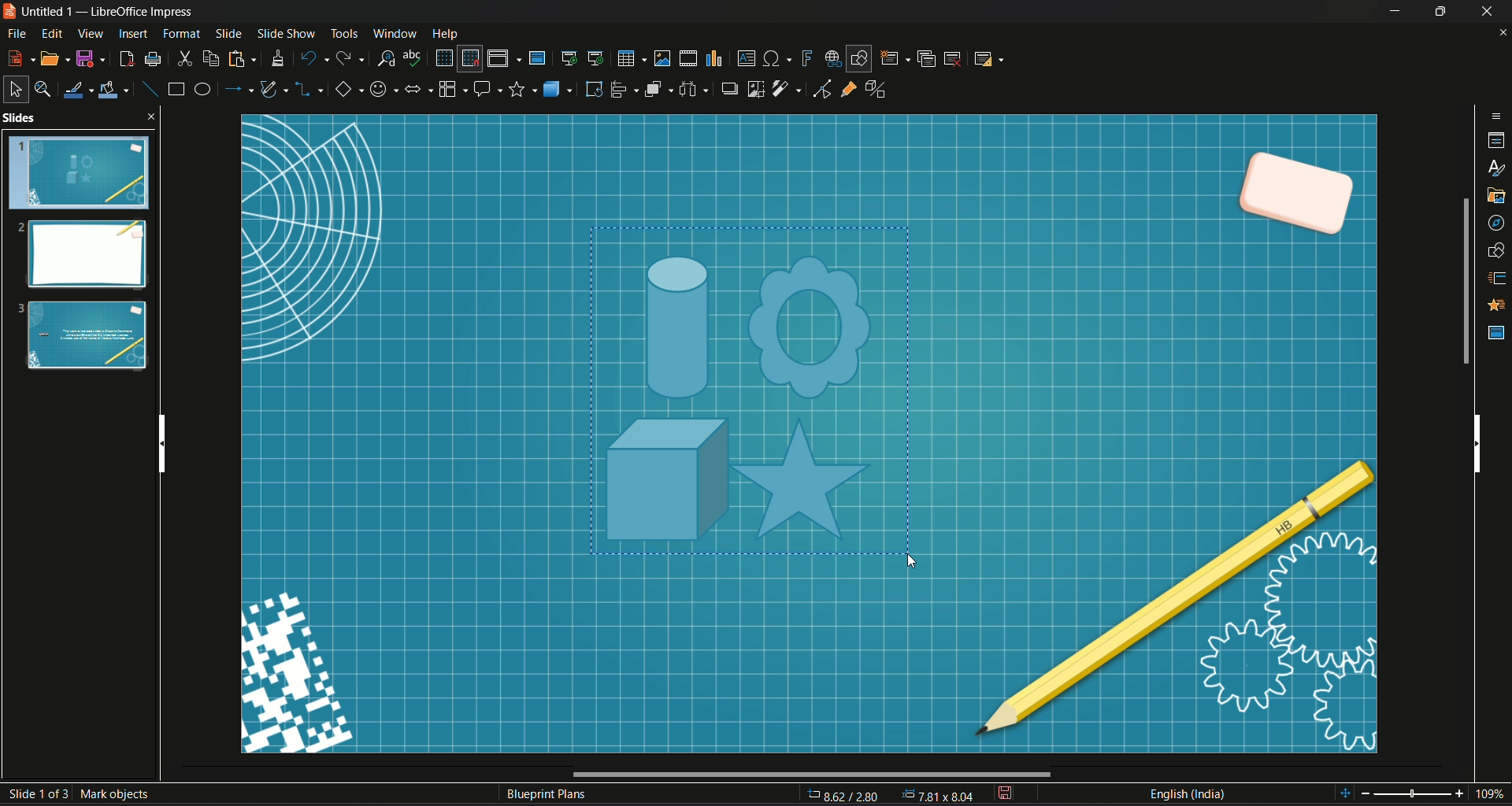 The width and height of the screenshot is (1512, 806). Describe the element at coordinates (102, 13) in the screenshot. I see `Logo and name` at that location.